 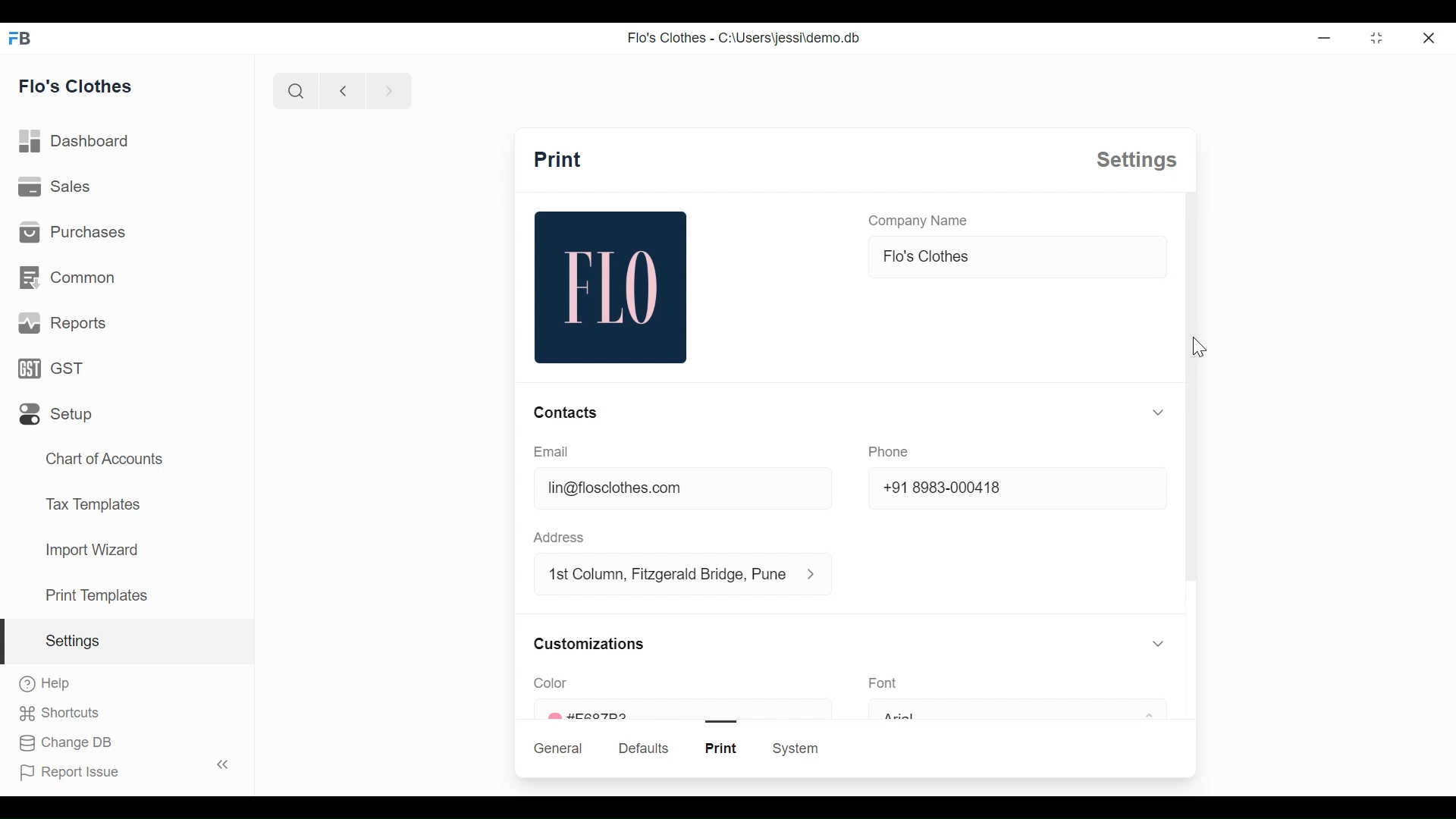 I want to click on color, so click(x=551, y=683).